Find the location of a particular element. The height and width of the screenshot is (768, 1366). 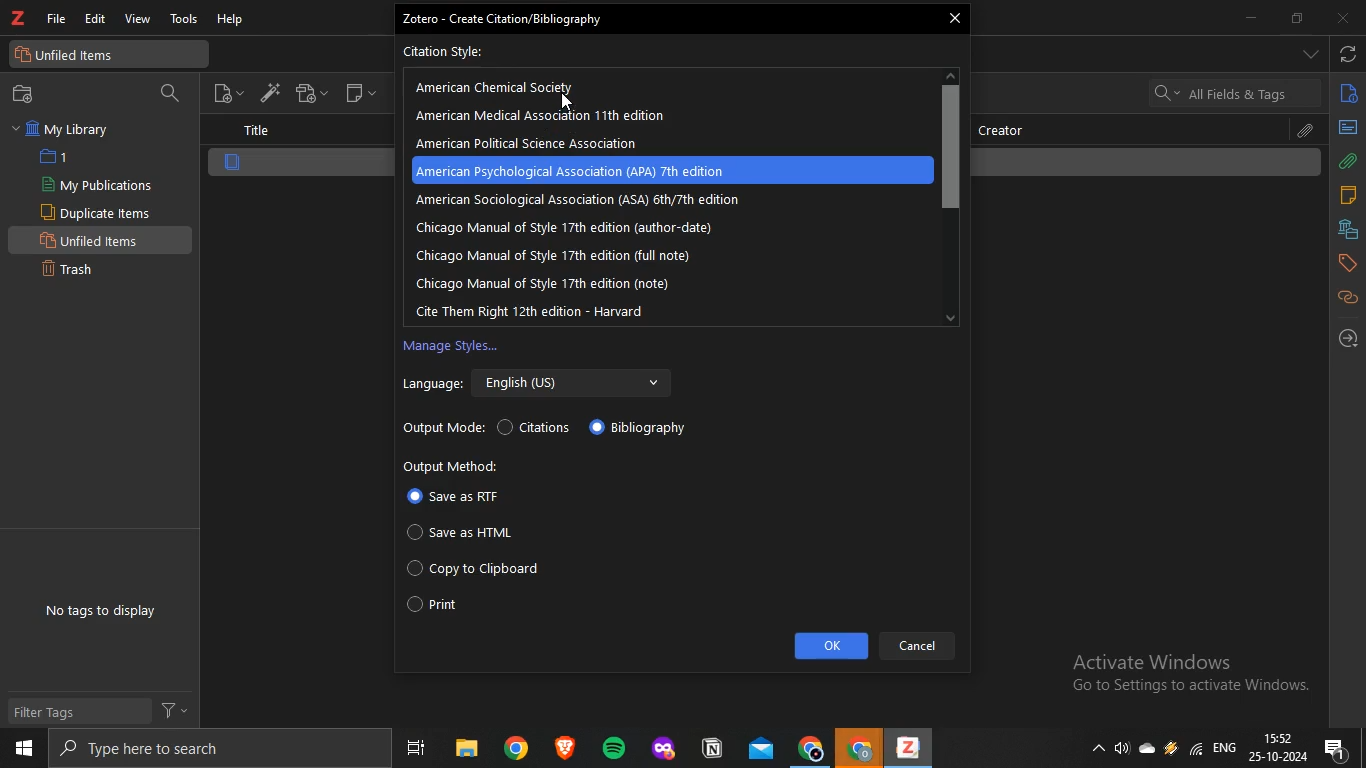

title is located at coordinates (255, 131).